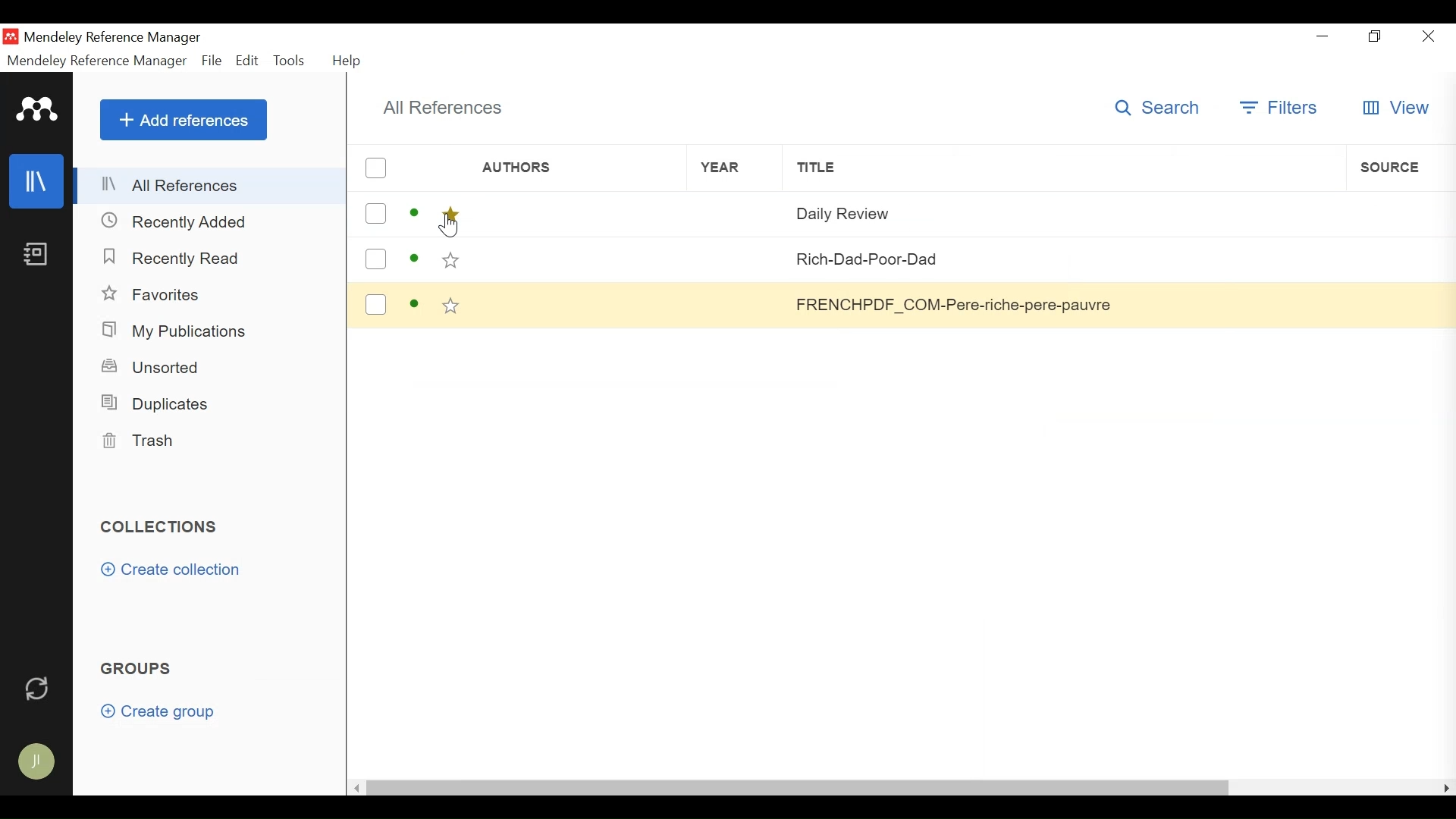 This screenshot has width=1456, height=819. What do you see at coordinates (138, 667) in the screenshot?
I see `Groups` at bounding box center [138, 667].